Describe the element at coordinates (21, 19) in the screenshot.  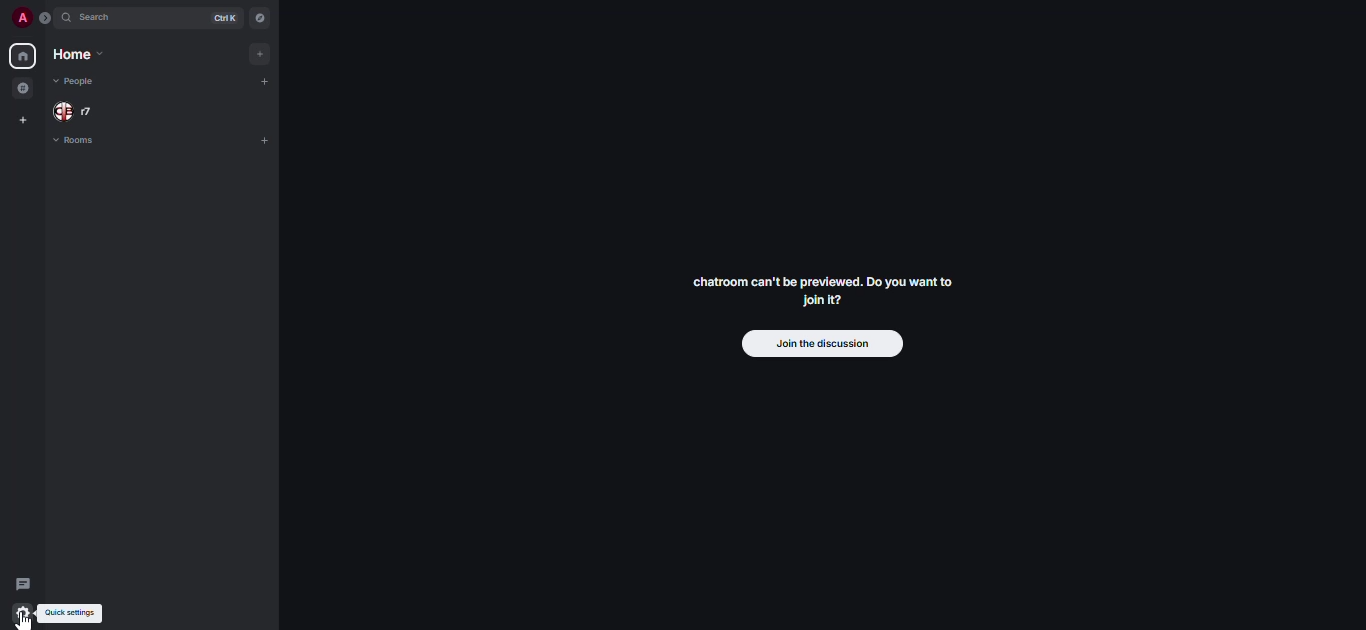
I see `profile` at that location.